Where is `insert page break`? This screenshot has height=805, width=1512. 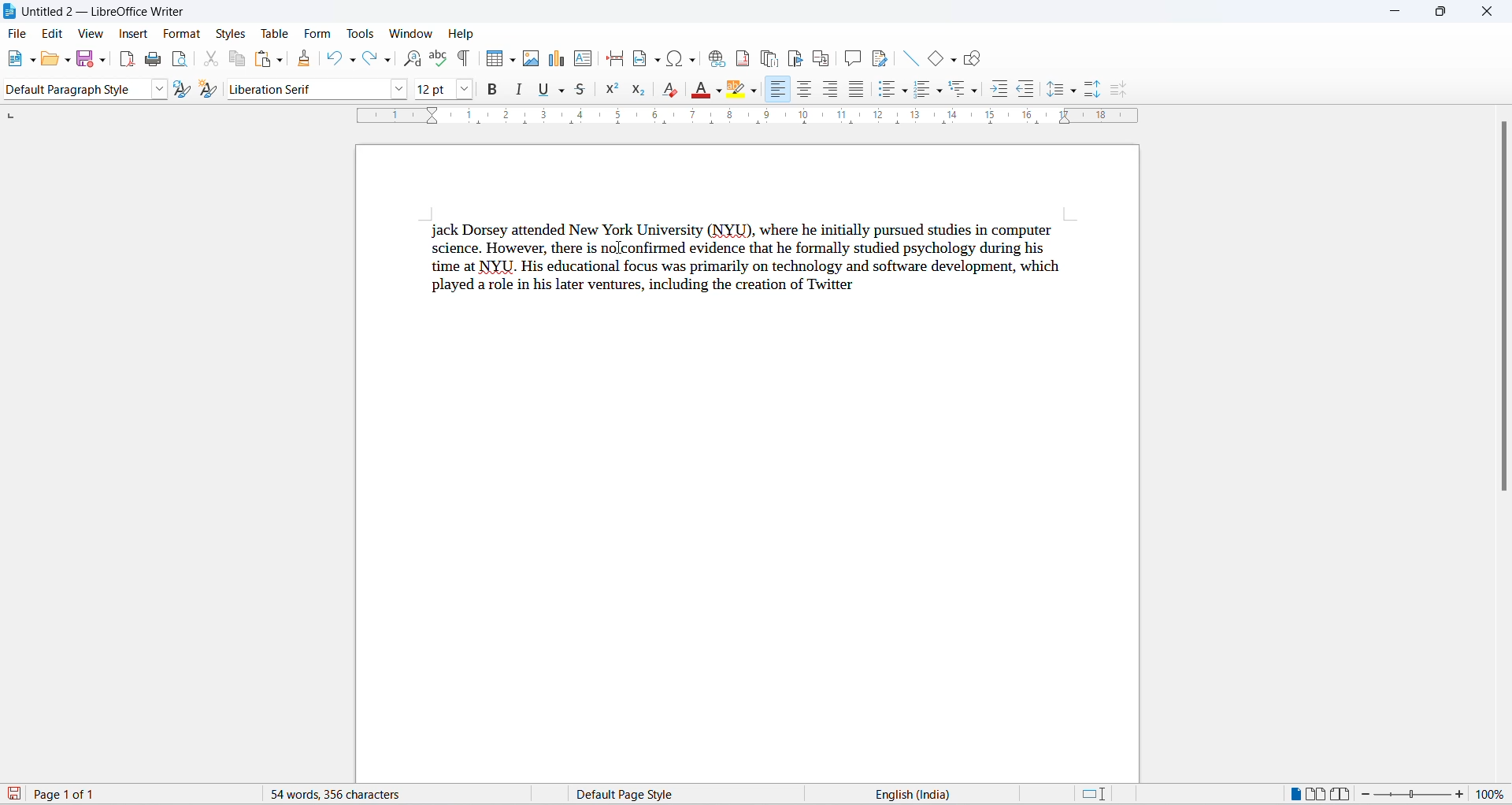
insert page break is located at coordinates (613, 57).